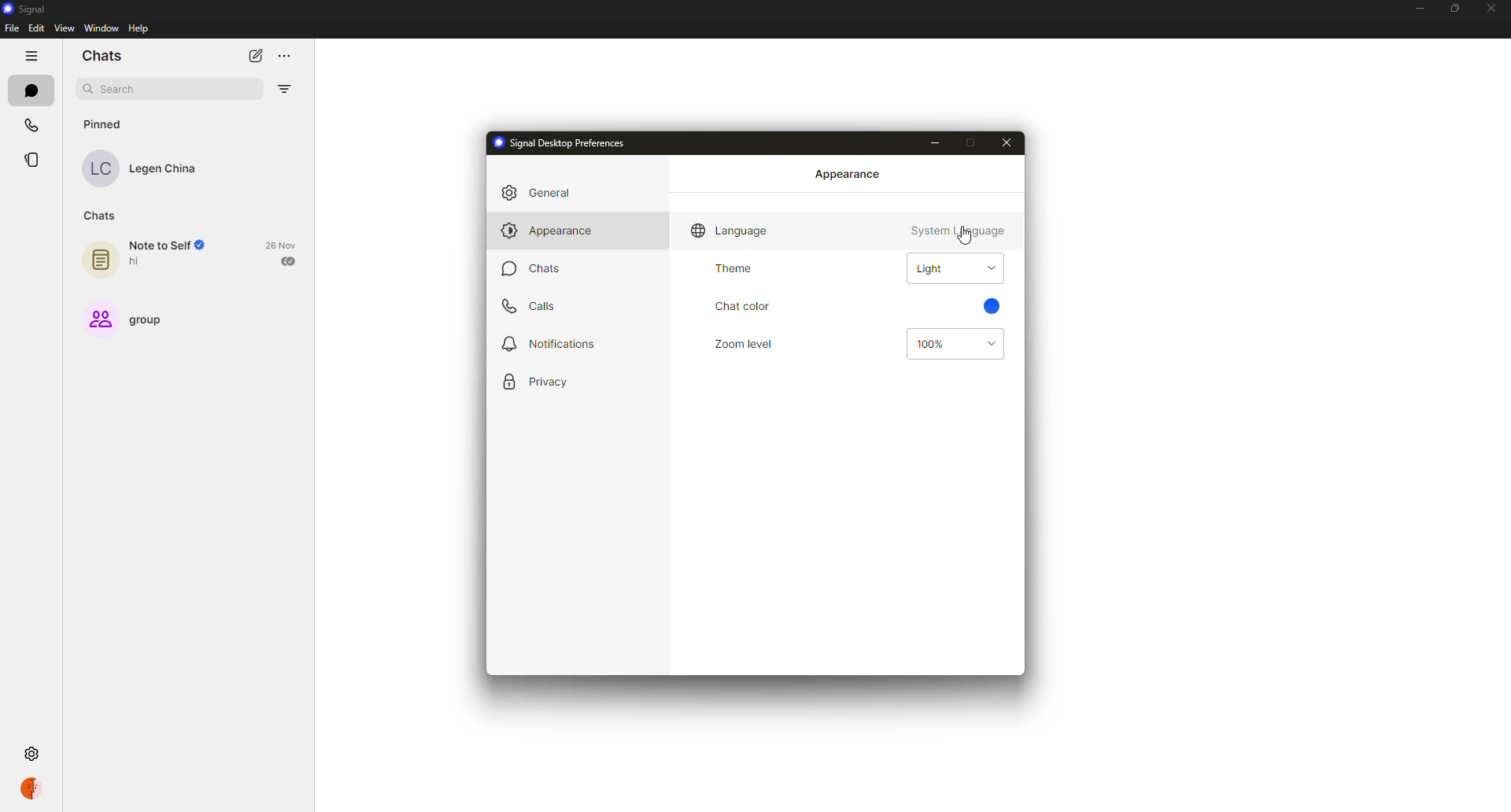  Describe the element at coordinates (289, 261) in the screenshot. I see `sent` at that location.